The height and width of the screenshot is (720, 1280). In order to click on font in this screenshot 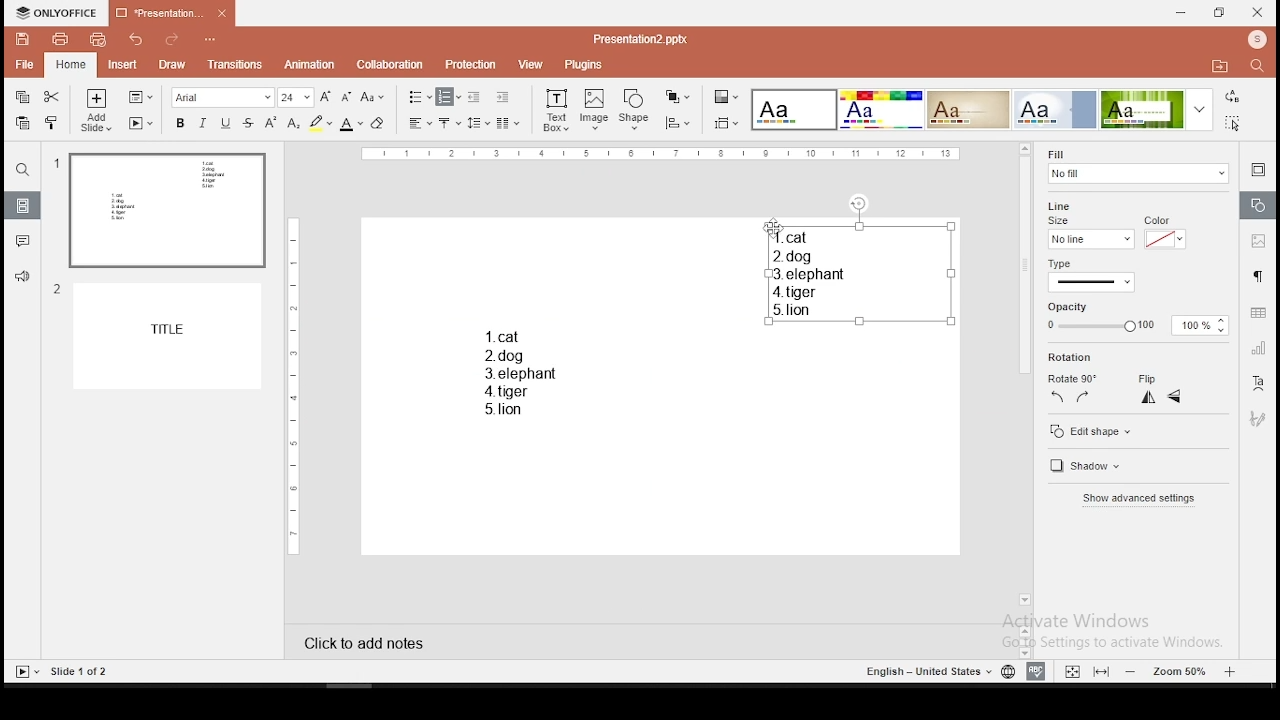, I will do `click(224, 97)`.